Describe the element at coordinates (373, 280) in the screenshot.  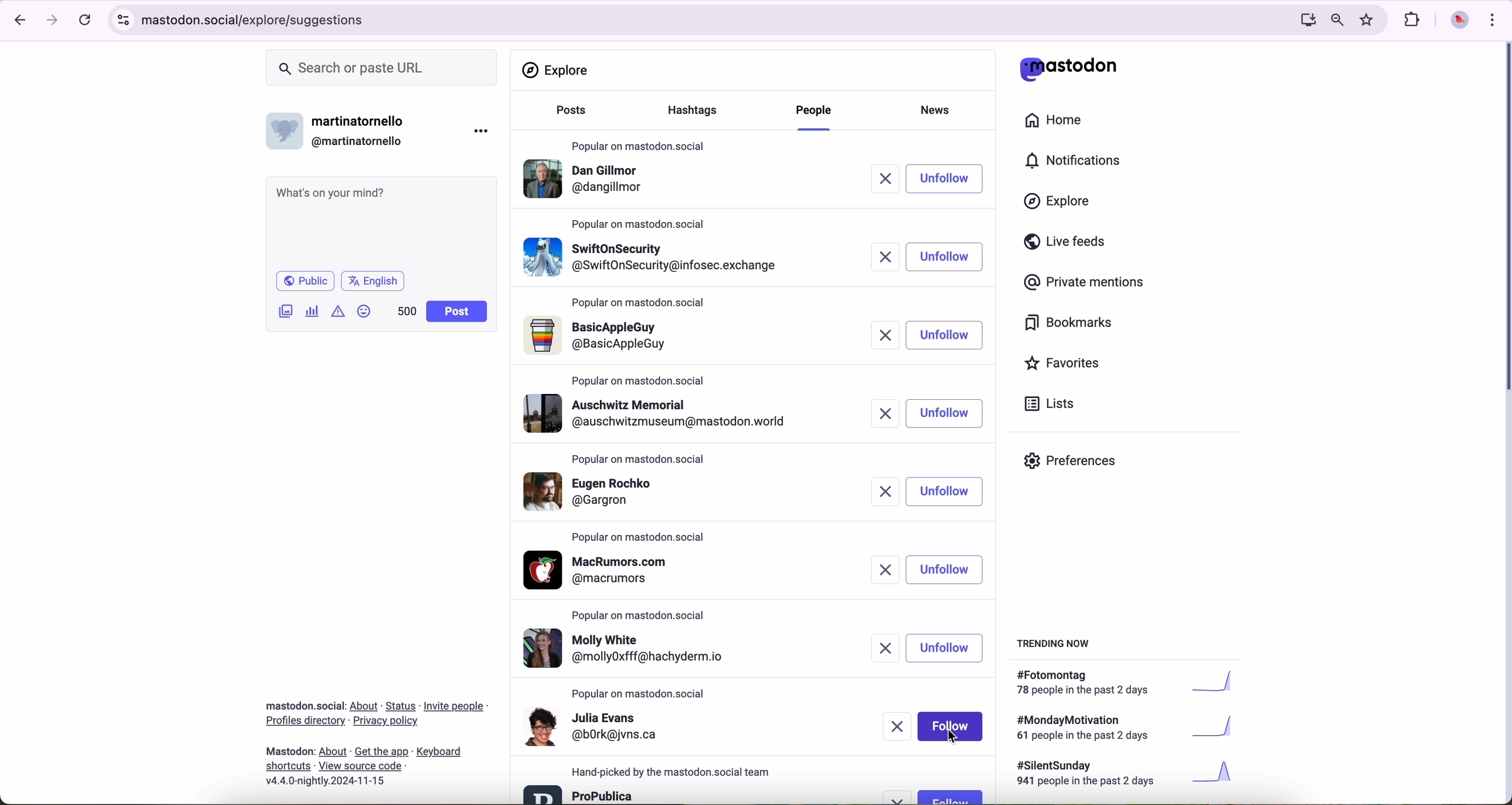
I see `language` at that location.